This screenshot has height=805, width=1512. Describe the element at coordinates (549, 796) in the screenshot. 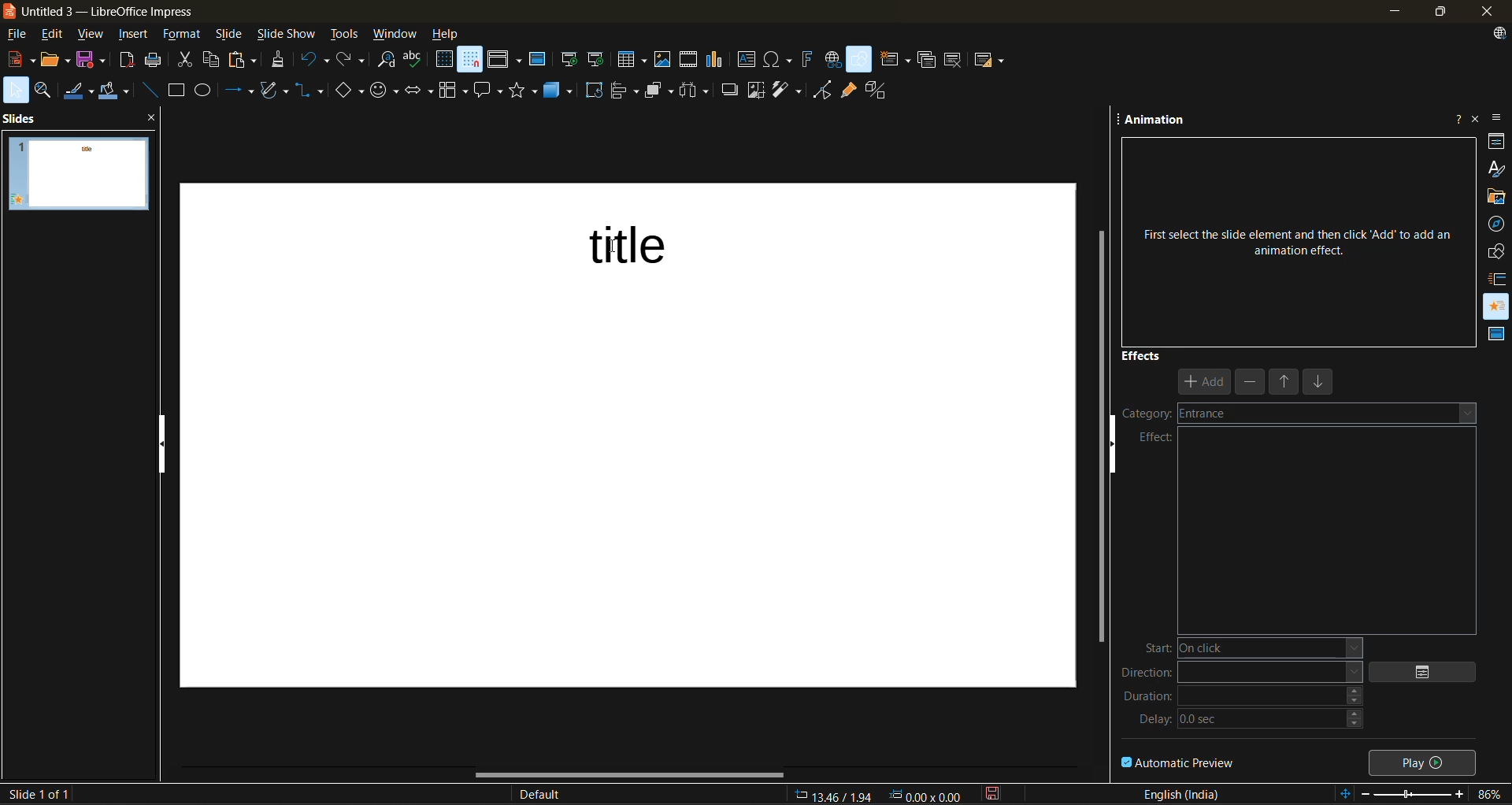

I see `slide master name` at that location.